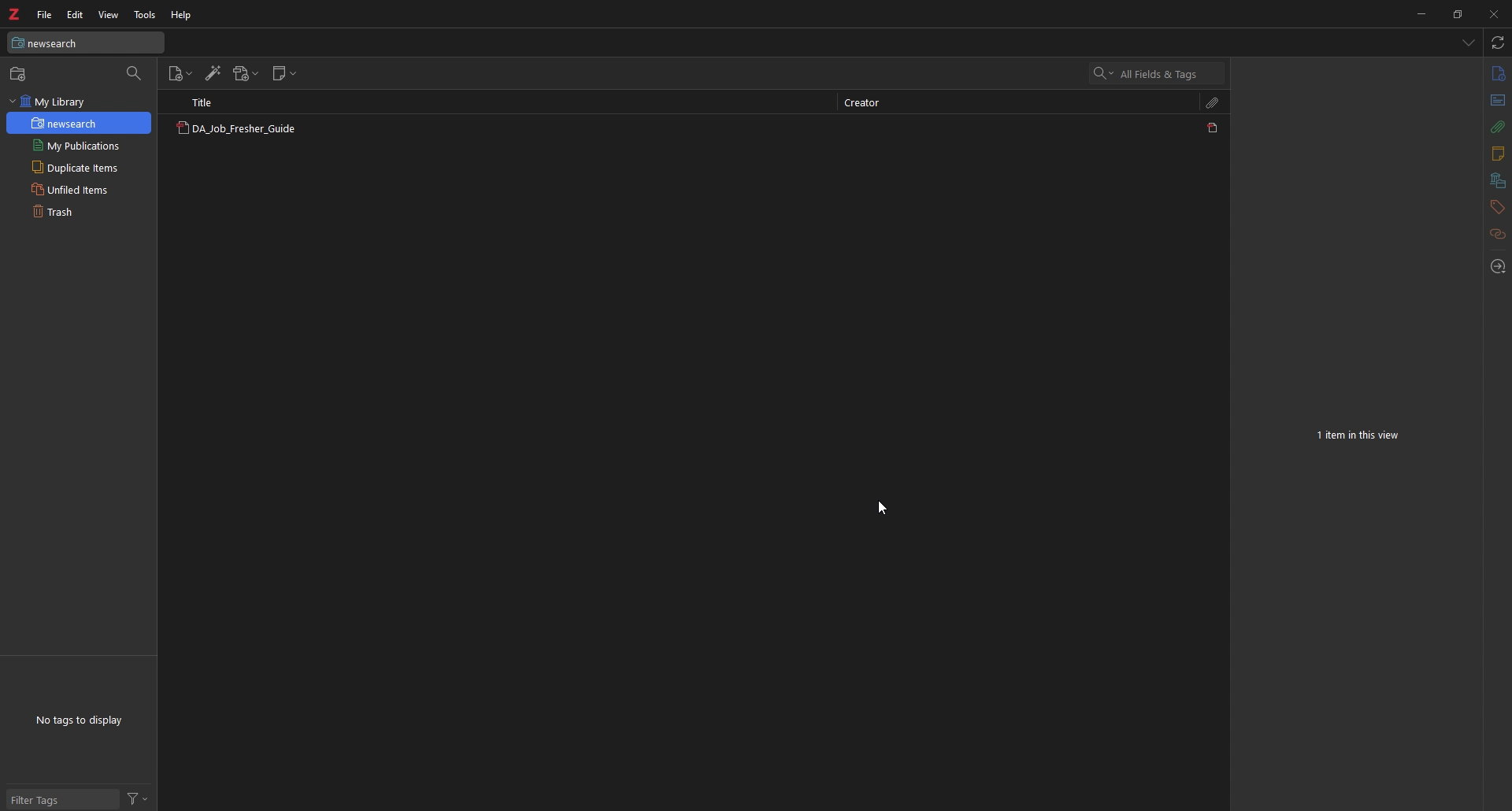  Describe the element at coordinates (86, 43) in the screenshot. I see `test search` at that location.